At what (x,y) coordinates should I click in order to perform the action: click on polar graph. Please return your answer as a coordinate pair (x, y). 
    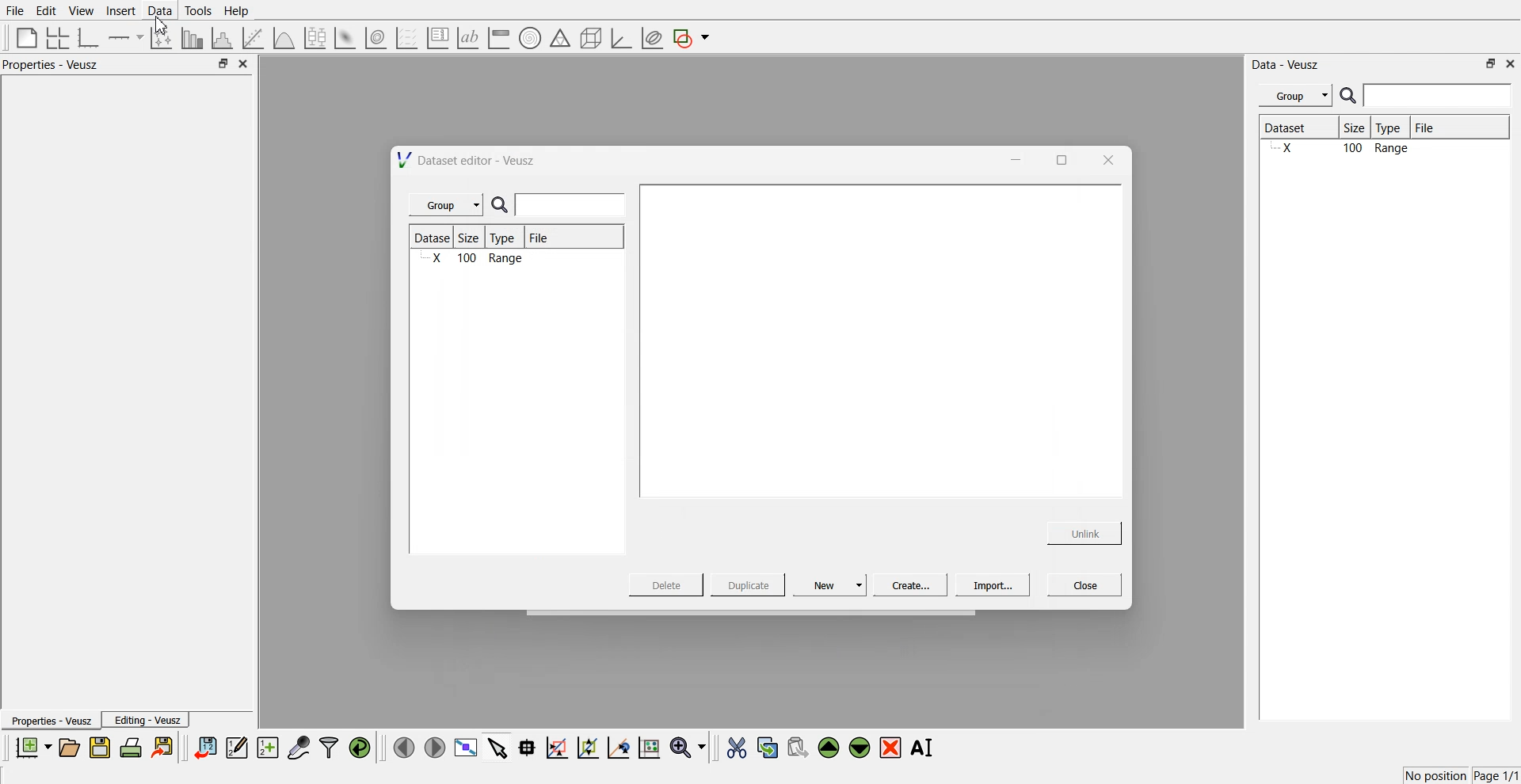
    Looking at the image, I should click on (529, 40).